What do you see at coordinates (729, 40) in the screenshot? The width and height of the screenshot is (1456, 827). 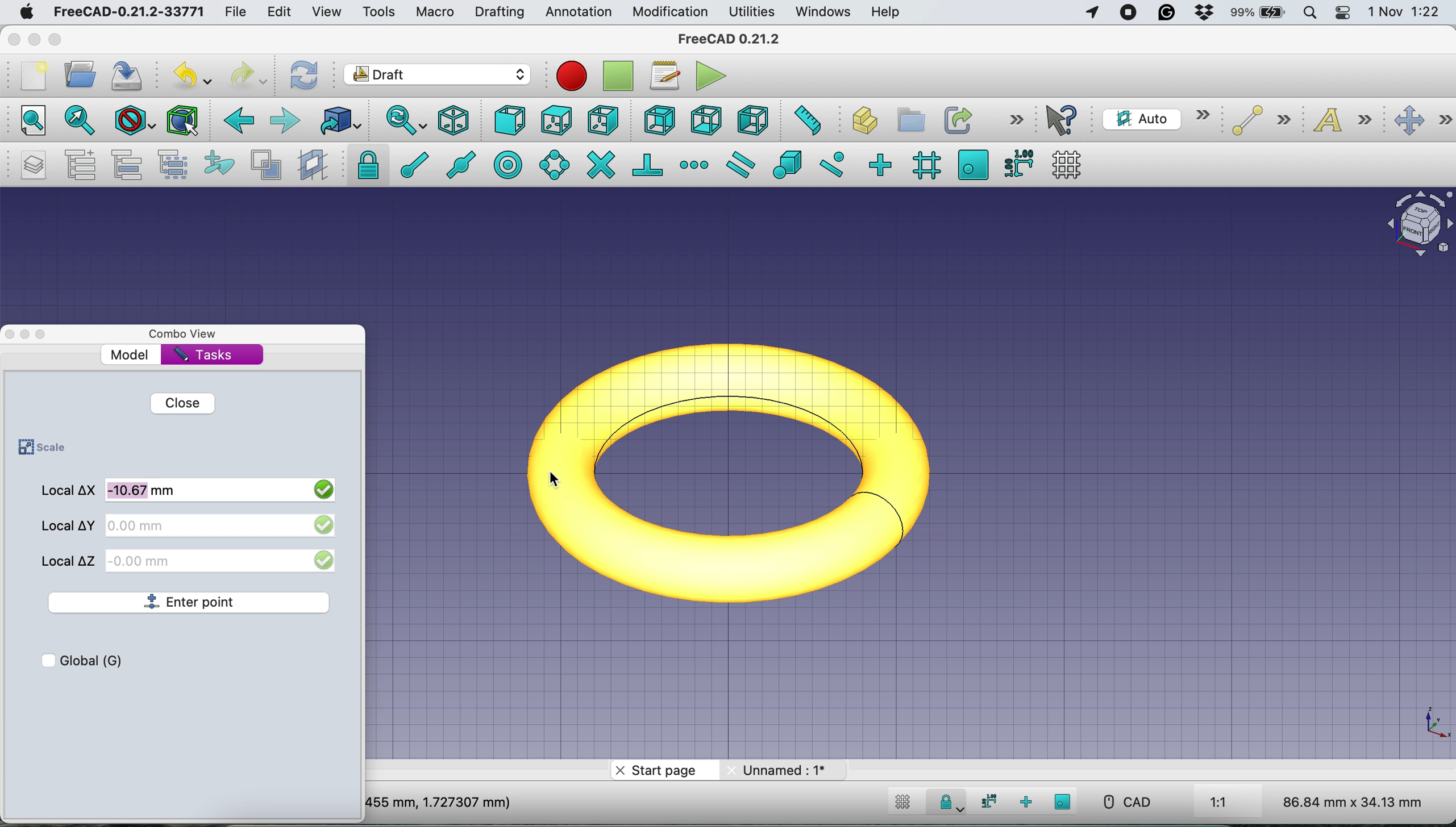 I see `freeCAD 0.21.2` at bounding box center [729, 40].